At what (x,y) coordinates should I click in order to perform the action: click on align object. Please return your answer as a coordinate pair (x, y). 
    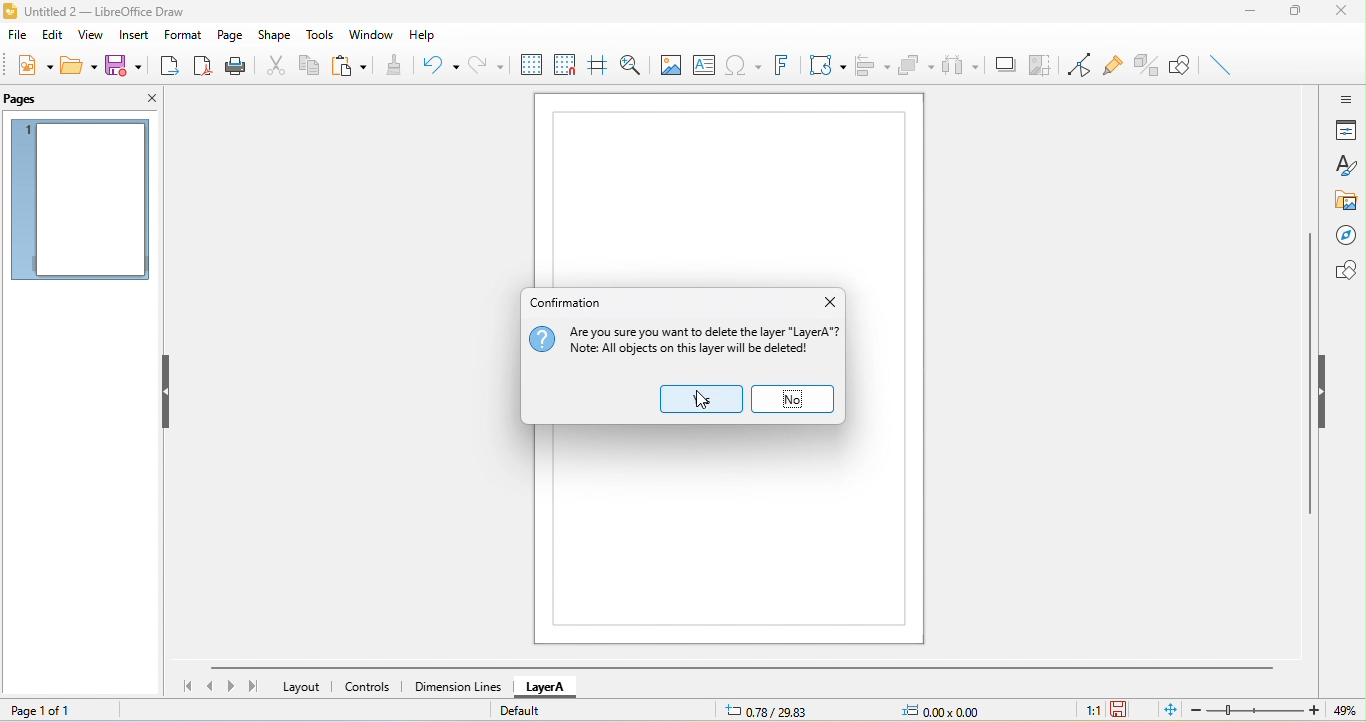
    Looking at the image, I should click on (871, 66).